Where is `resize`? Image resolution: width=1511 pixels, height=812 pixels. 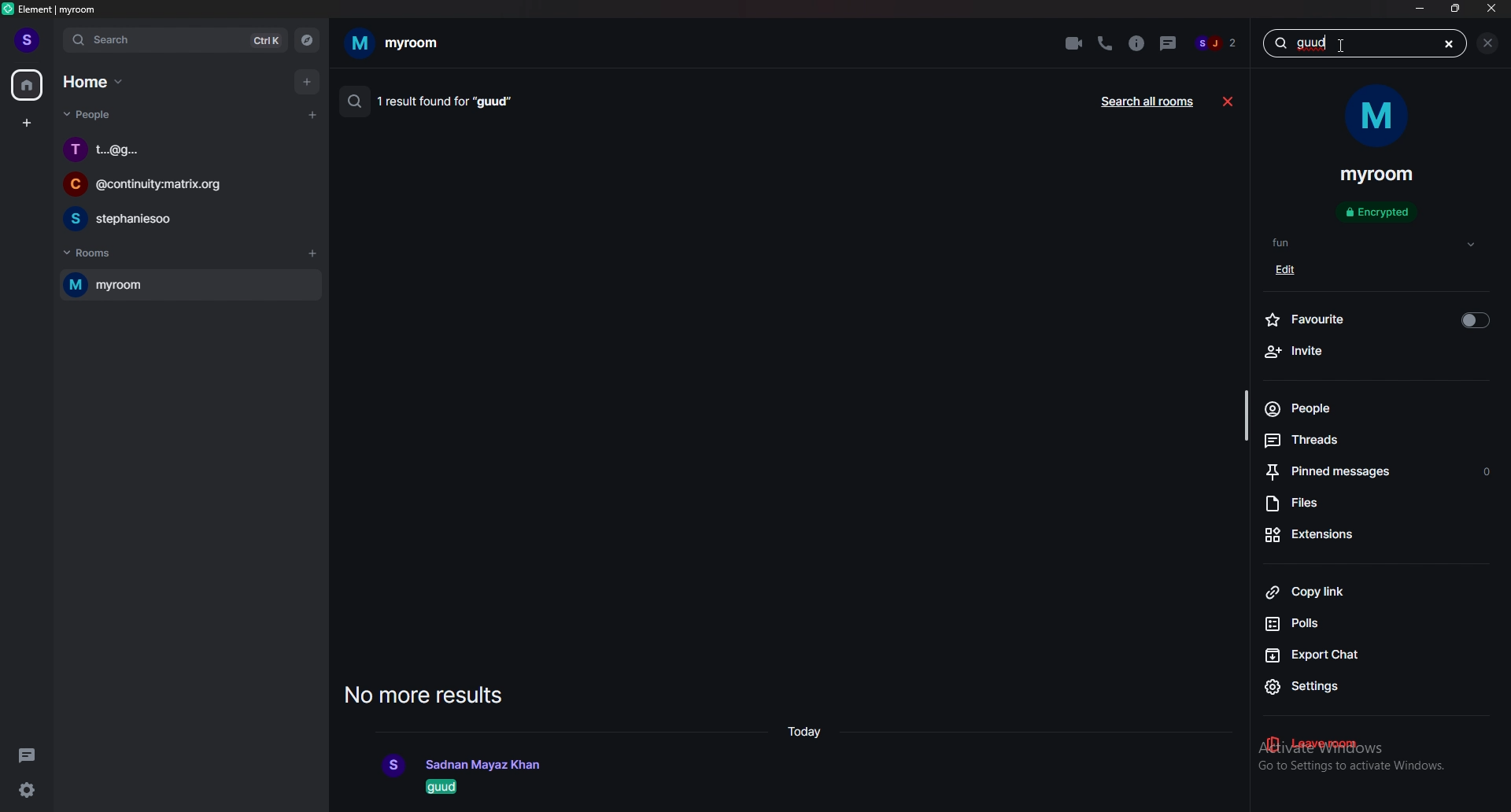 resize is located at coordinates (1457, 8).